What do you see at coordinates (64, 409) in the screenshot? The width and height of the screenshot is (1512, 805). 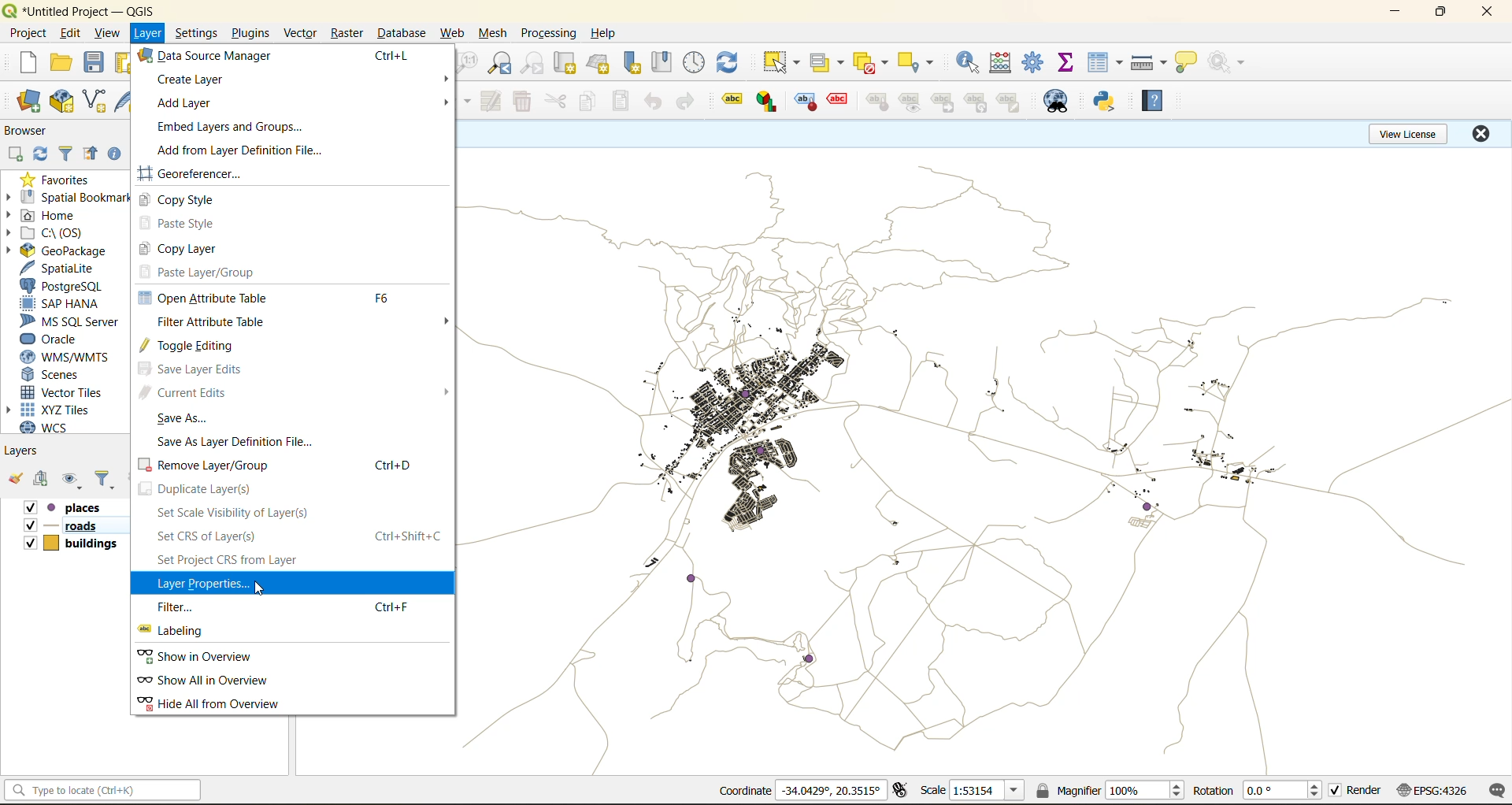 I see `xyz tiles` at bounding box center [64, 409].